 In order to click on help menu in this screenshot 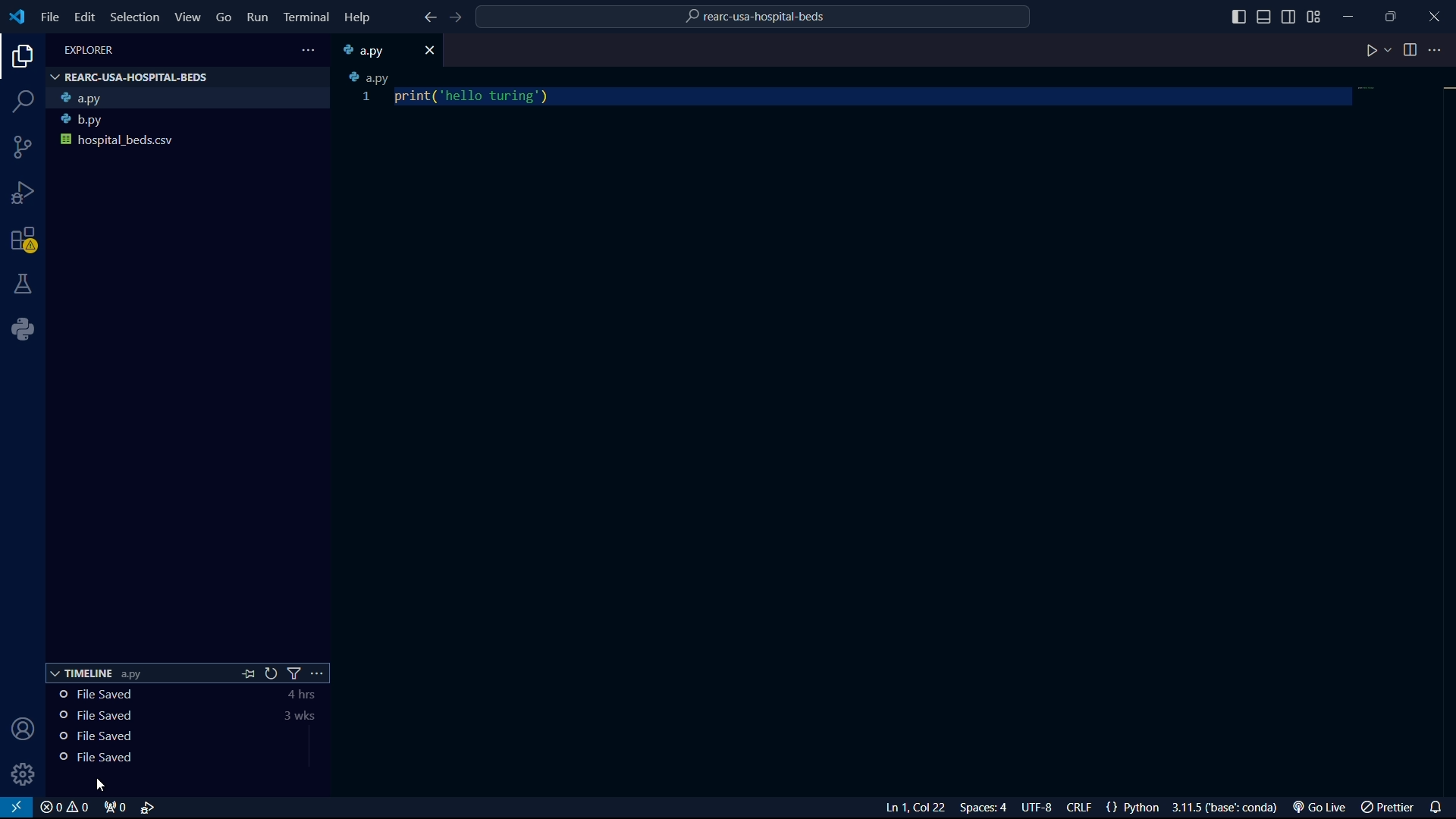, I will do `click(356, 17)`.